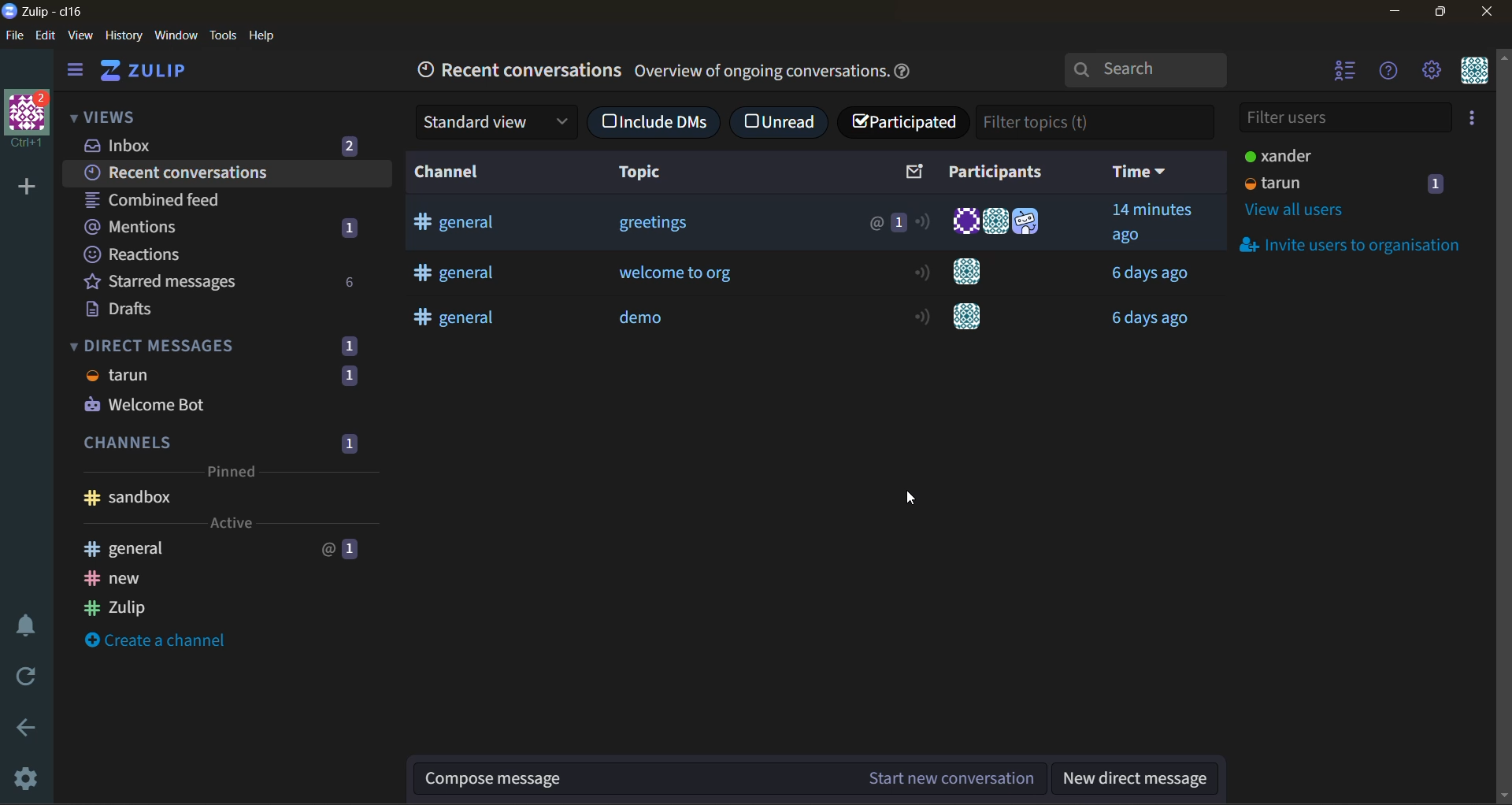  I want to click on view, so click(82, 35).